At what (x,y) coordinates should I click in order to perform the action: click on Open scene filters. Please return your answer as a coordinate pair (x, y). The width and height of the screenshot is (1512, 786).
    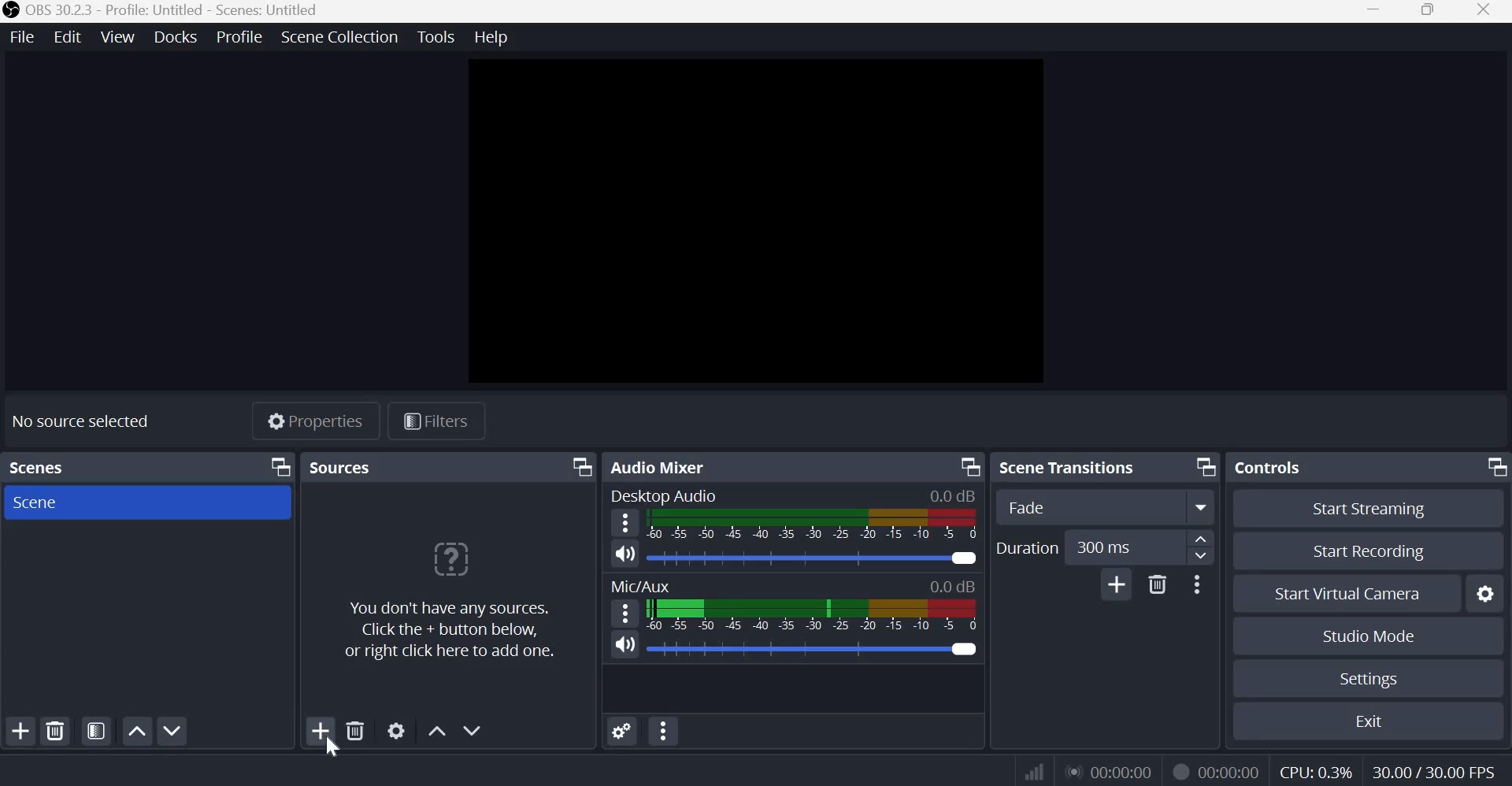
    Looking at the image, I should click on (96, 732).